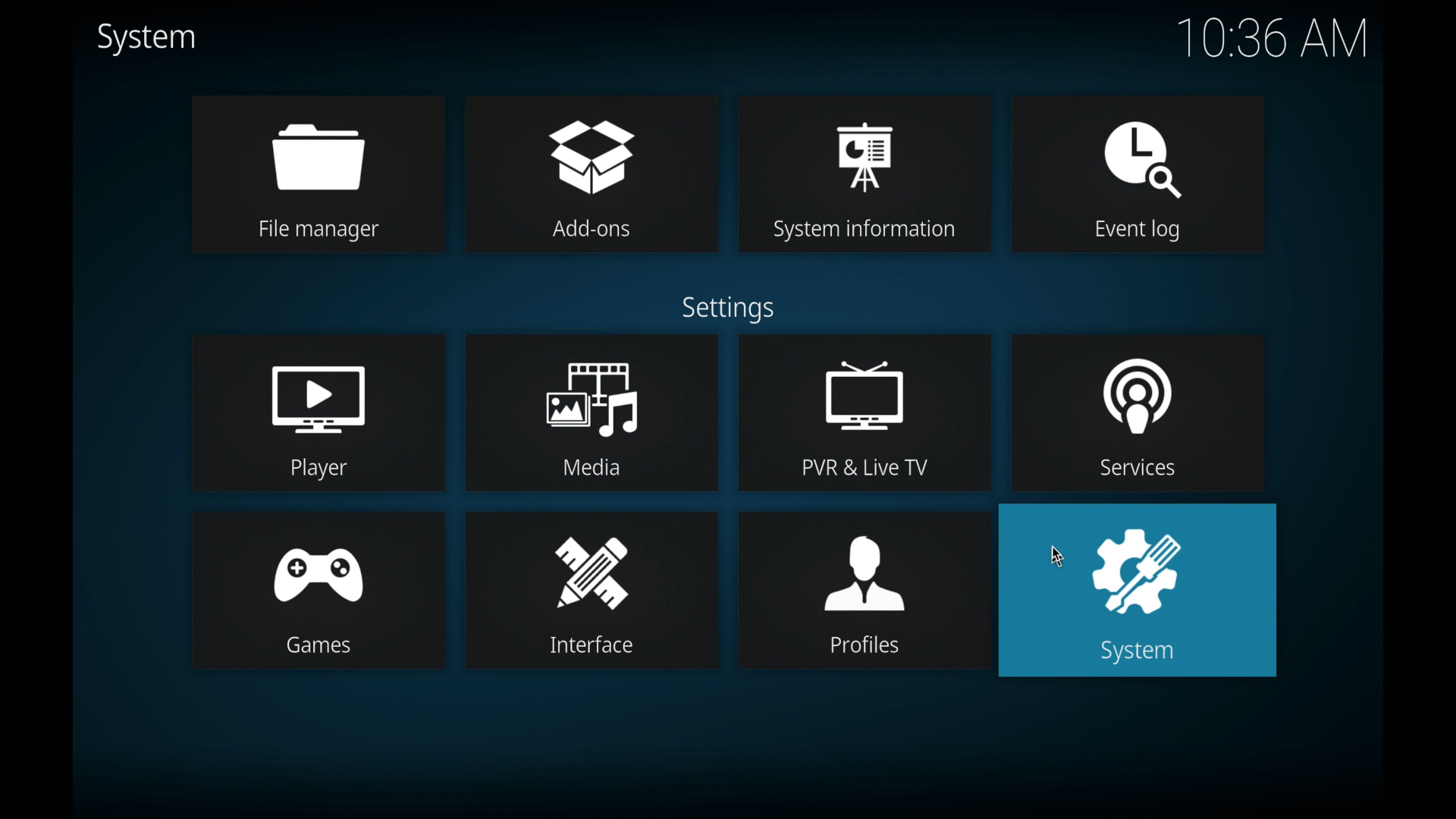 This screenshot has width=1456, height=819. What do you see at coordinates (730, 309) in the screenshot?
I see `settings` at bounding box center [730, 309].